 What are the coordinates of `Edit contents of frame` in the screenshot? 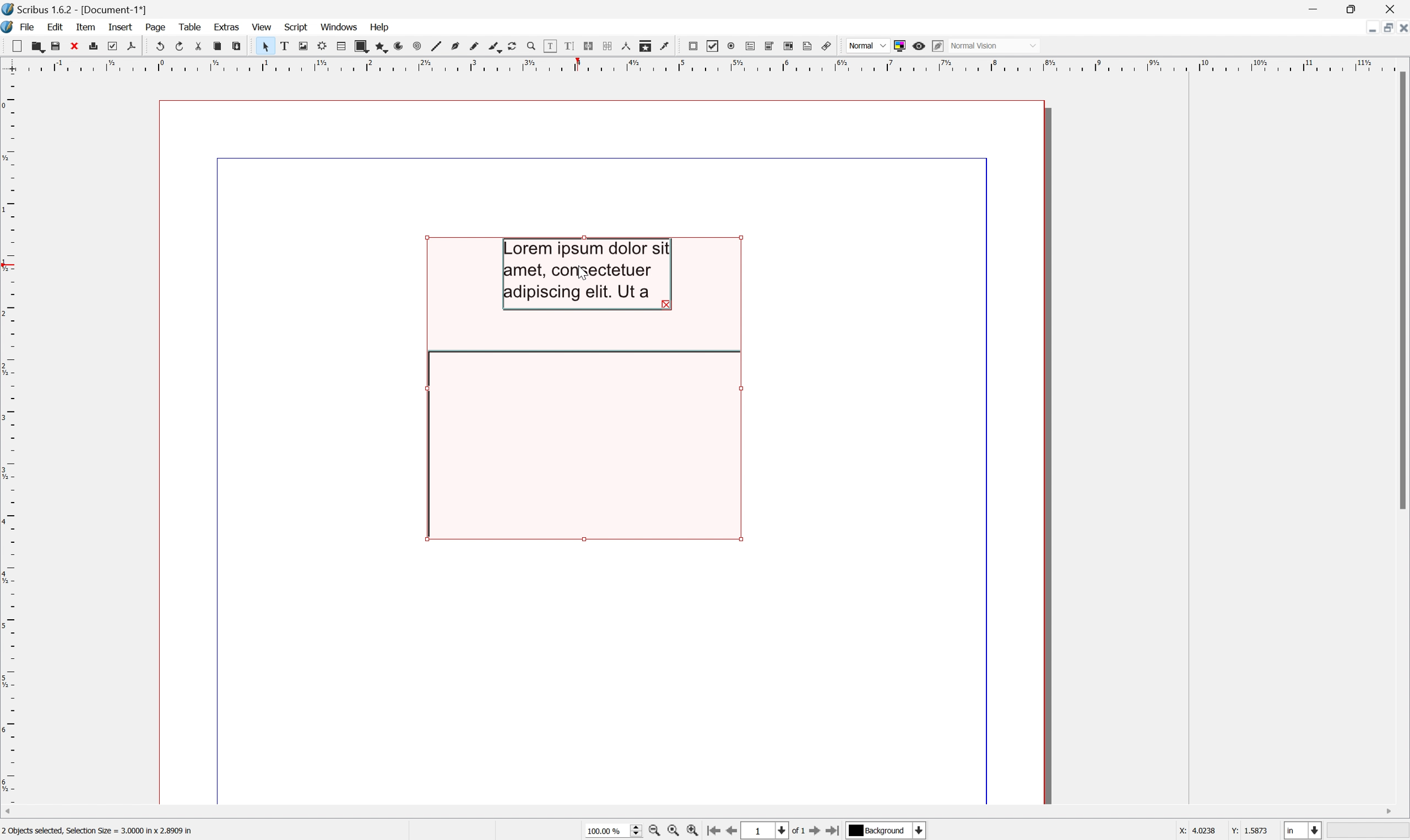 It's located at (549, 45).